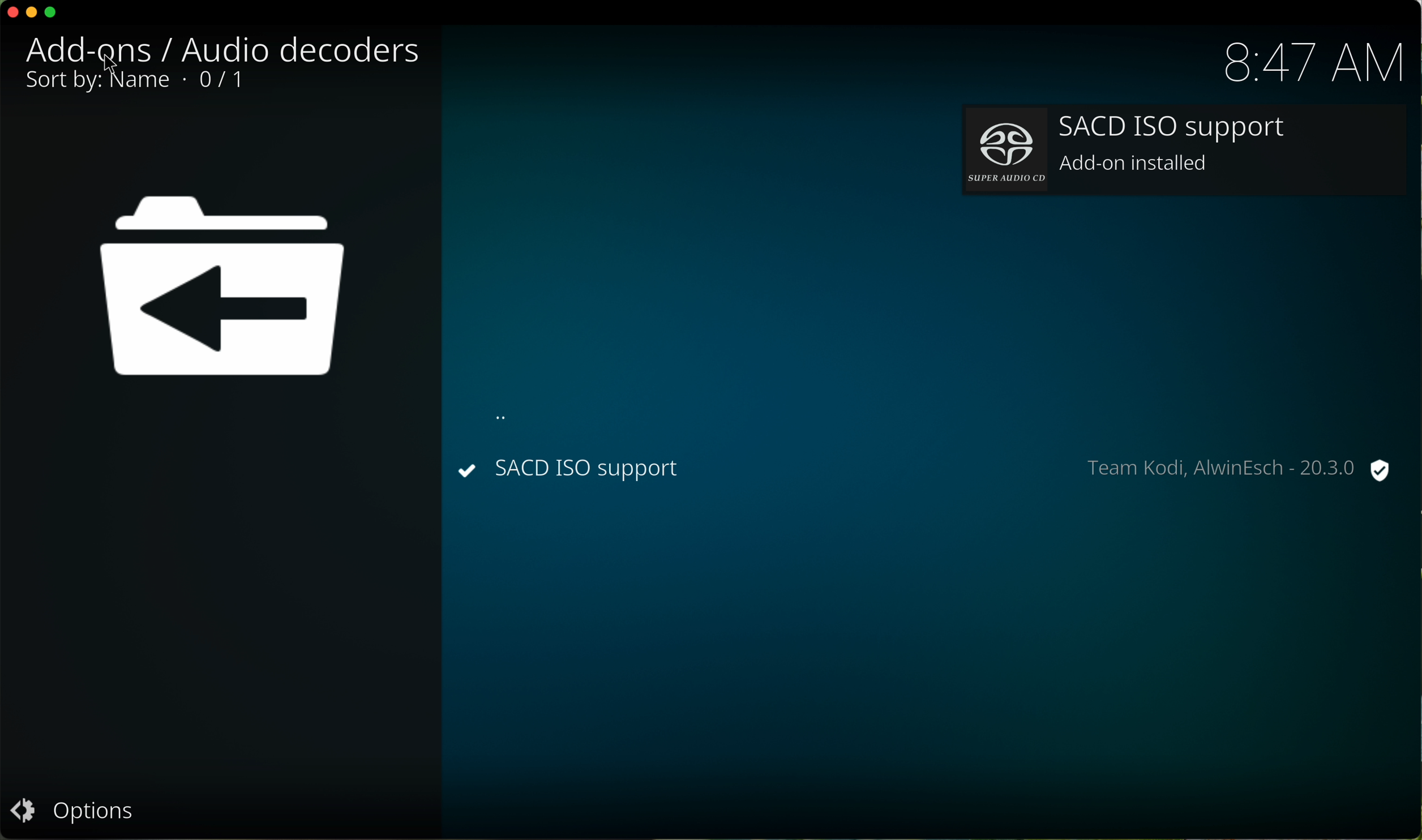  I want to click on sort by name, so click(103, 82).